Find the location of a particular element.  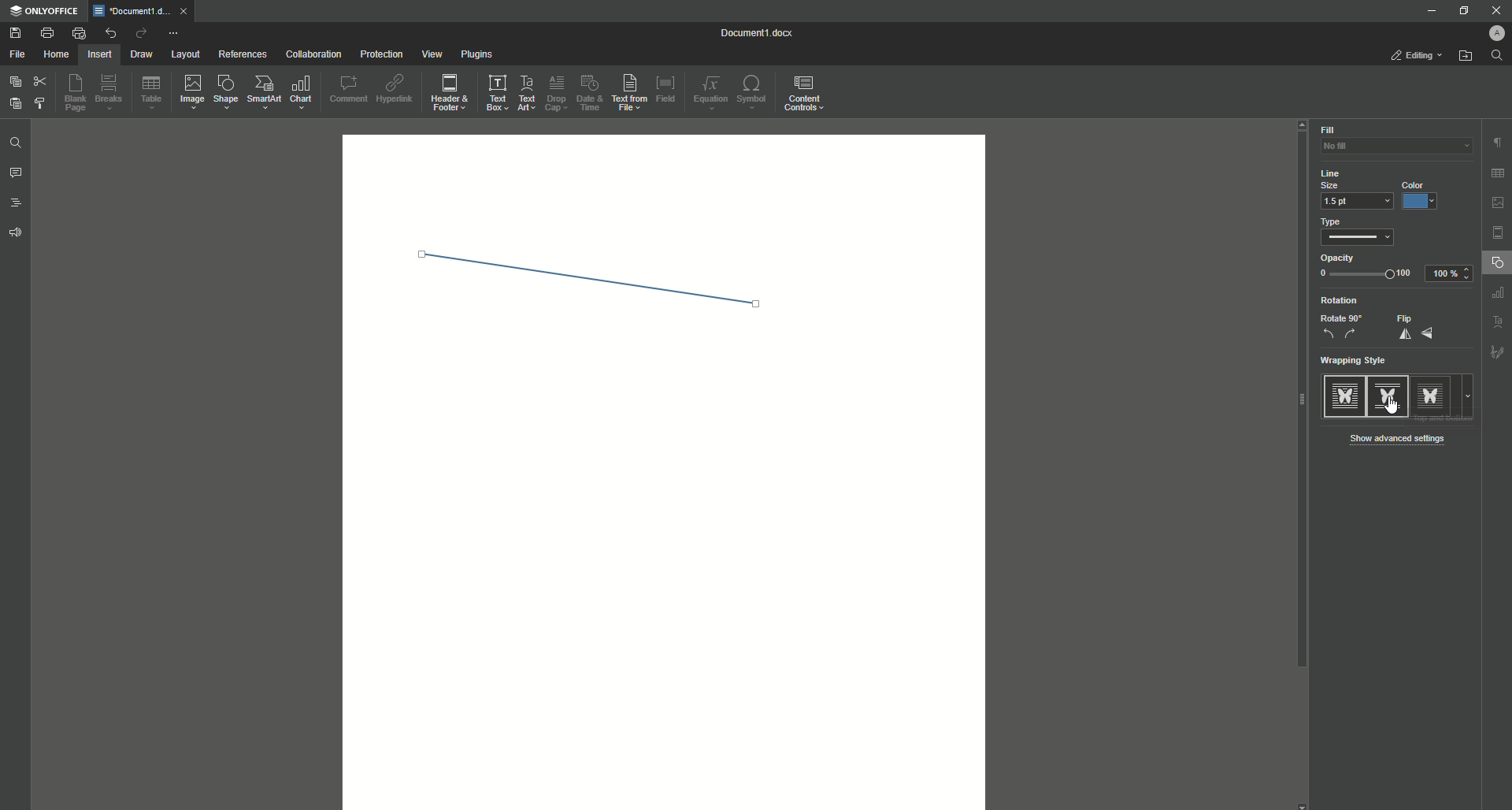

Profile is located at coordinates (1489, 34).